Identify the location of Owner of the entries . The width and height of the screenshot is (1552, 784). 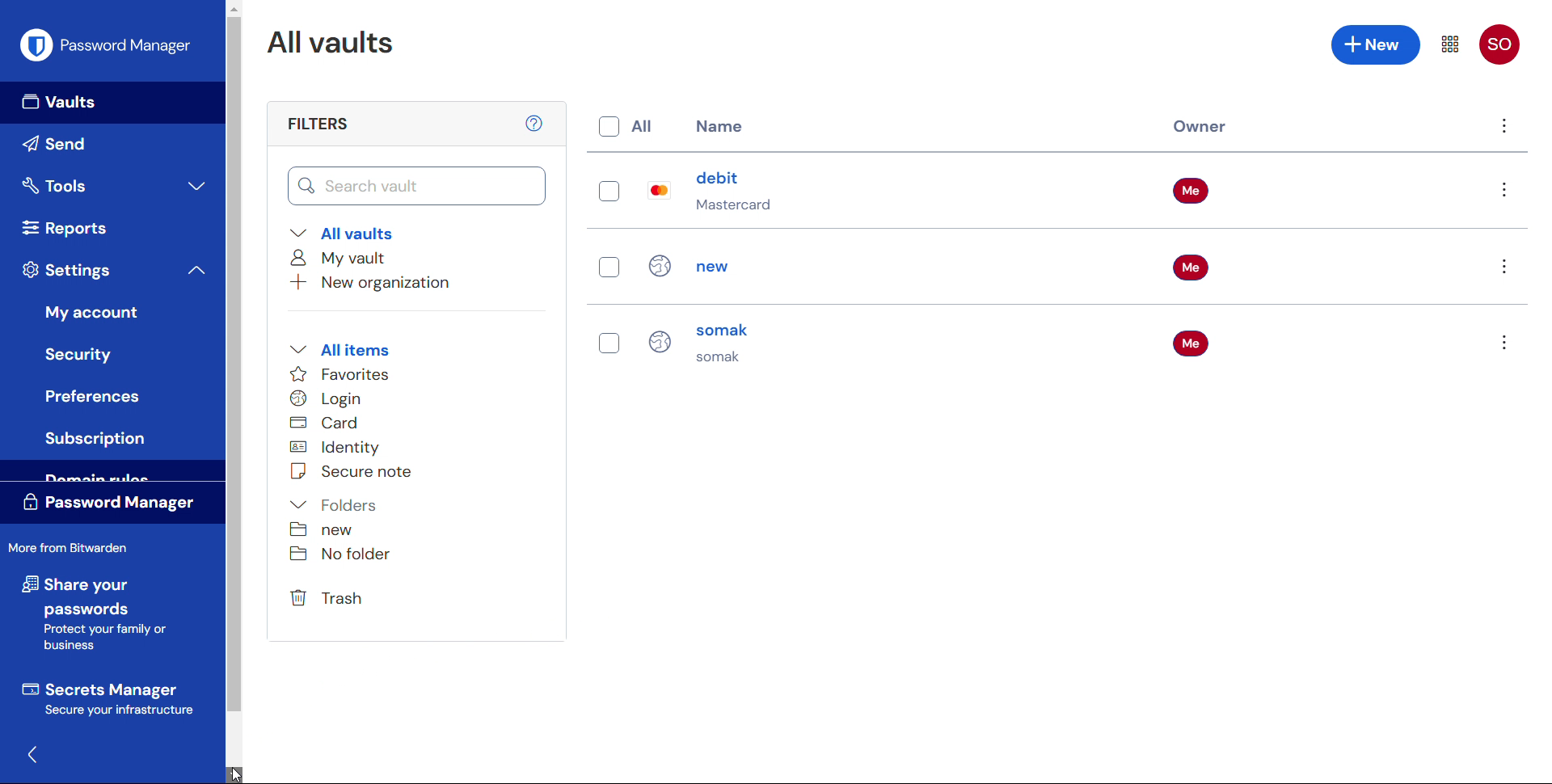
(1193, 272).